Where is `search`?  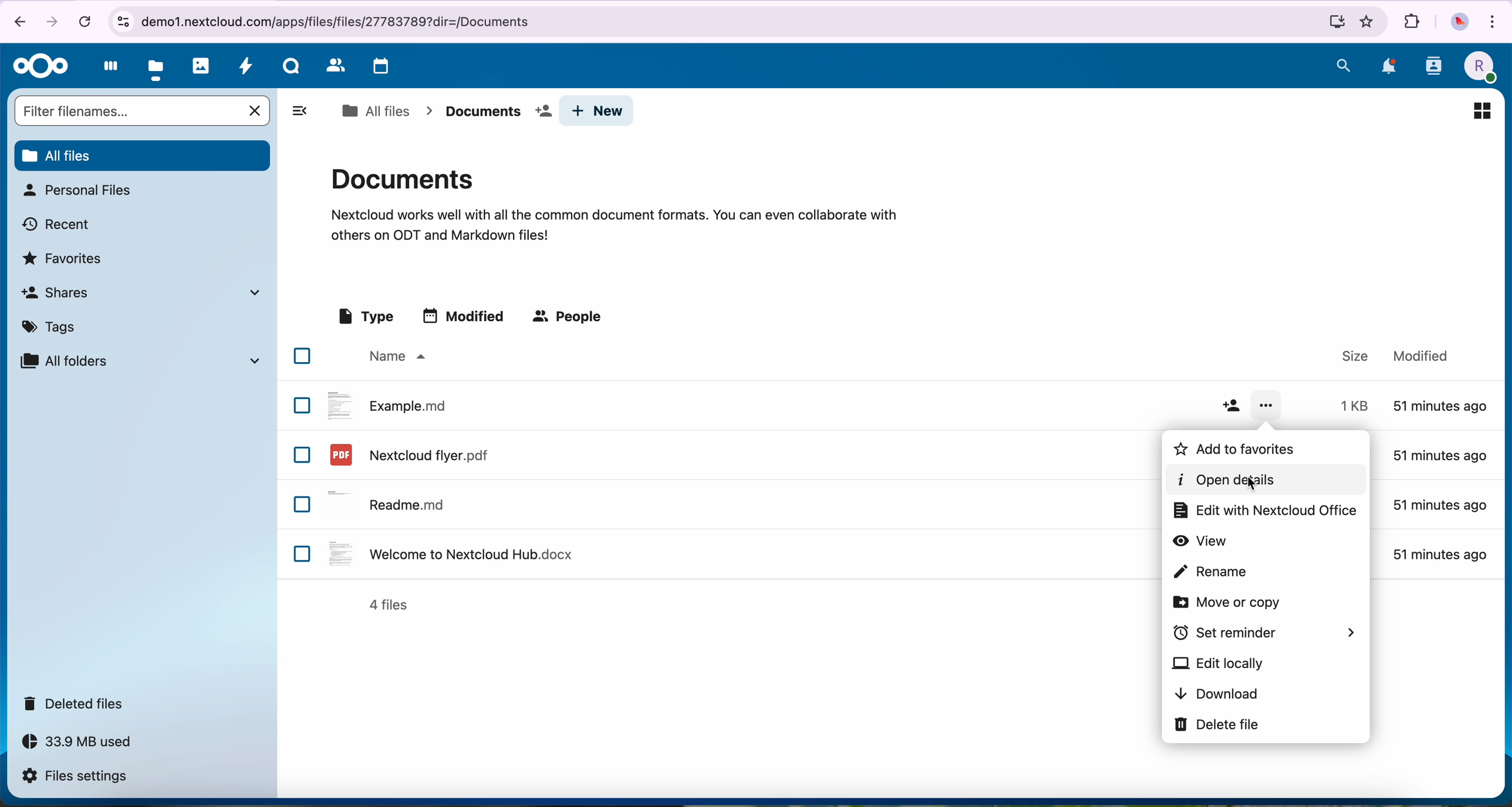 search is located at coordinates (1344, 65).